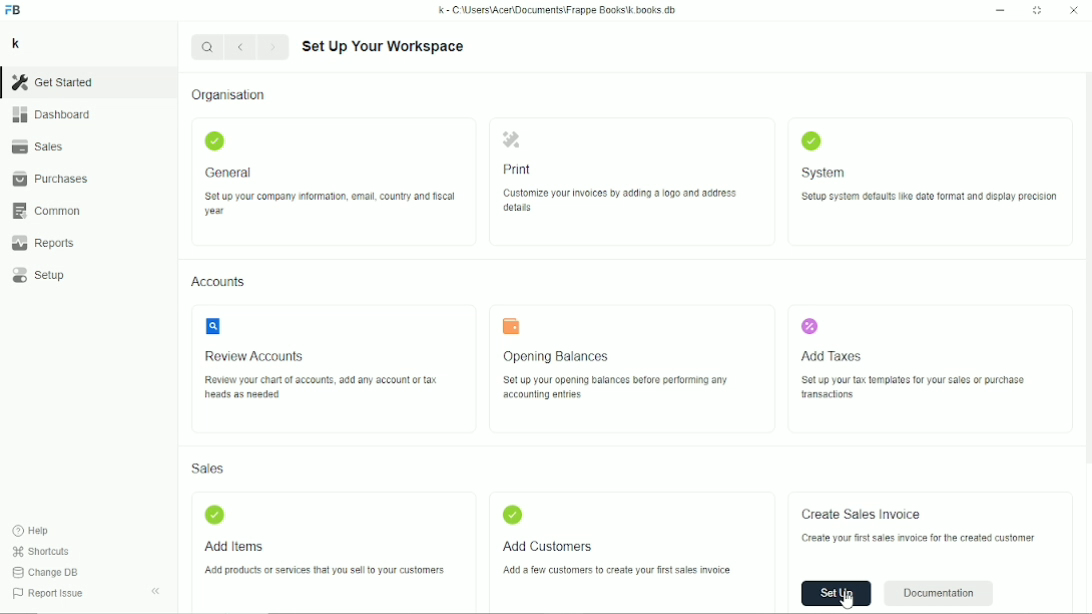 The image size is (1092, 614). Describe the element at coordinates (44, 243) in the screenshot. I see `Reports` at that location.